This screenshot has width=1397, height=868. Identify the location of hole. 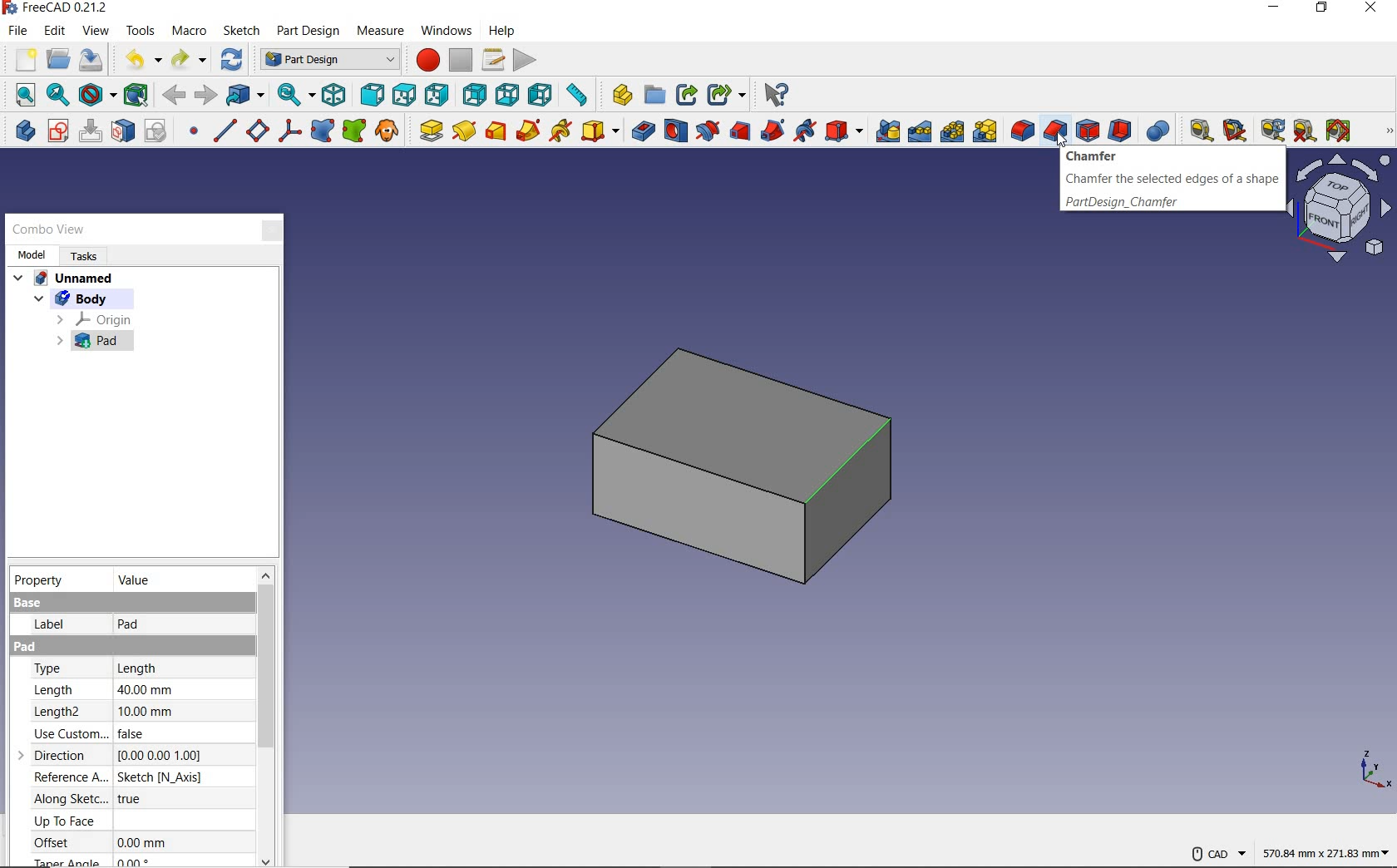
(676, 131).